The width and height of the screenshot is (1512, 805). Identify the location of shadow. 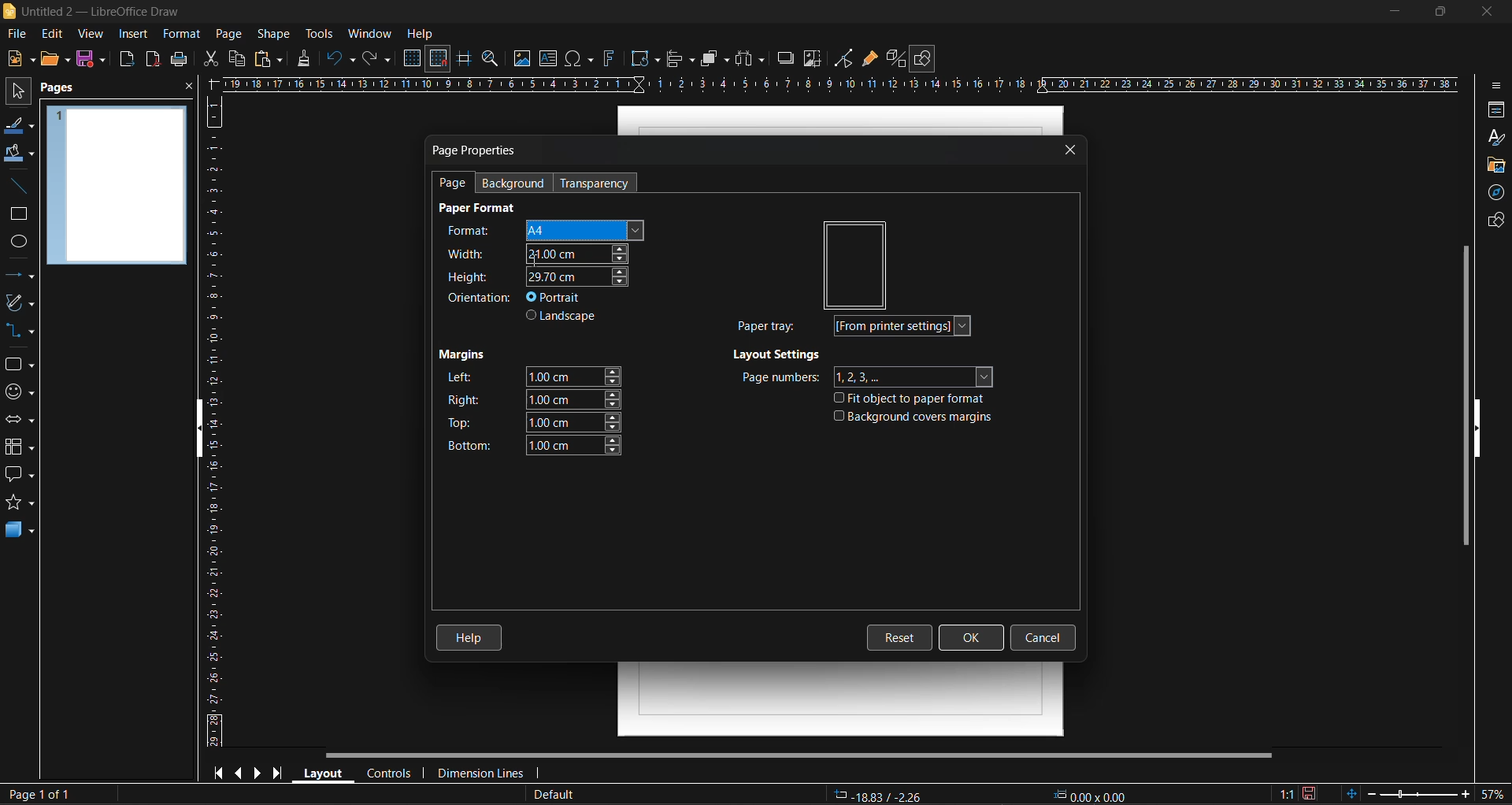
(788, 57).